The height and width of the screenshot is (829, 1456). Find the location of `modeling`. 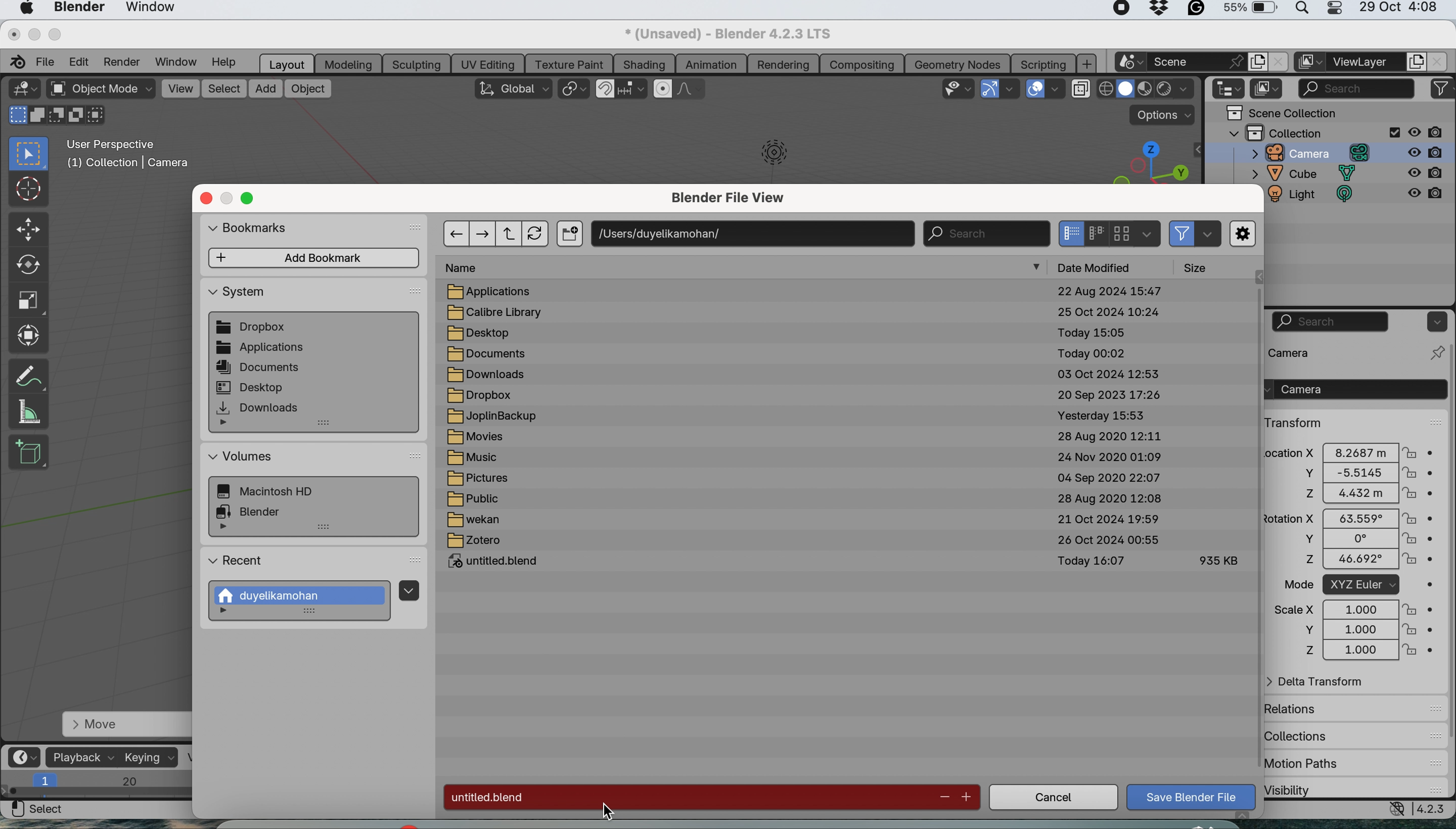

modeling is located at coordinates (349, 64).